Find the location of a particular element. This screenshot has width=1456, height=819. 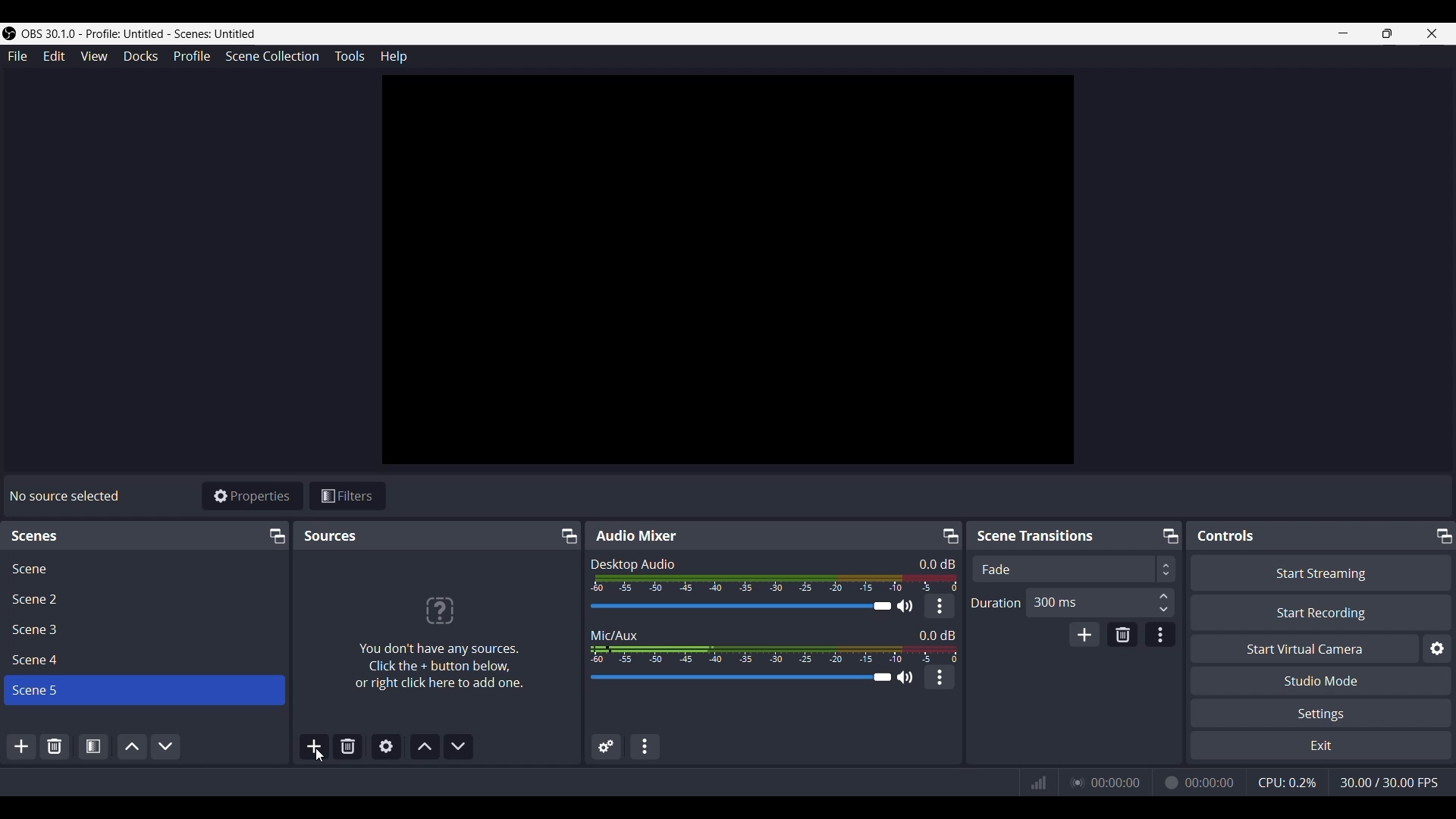

Scene File is located at coordinates (141, 630).